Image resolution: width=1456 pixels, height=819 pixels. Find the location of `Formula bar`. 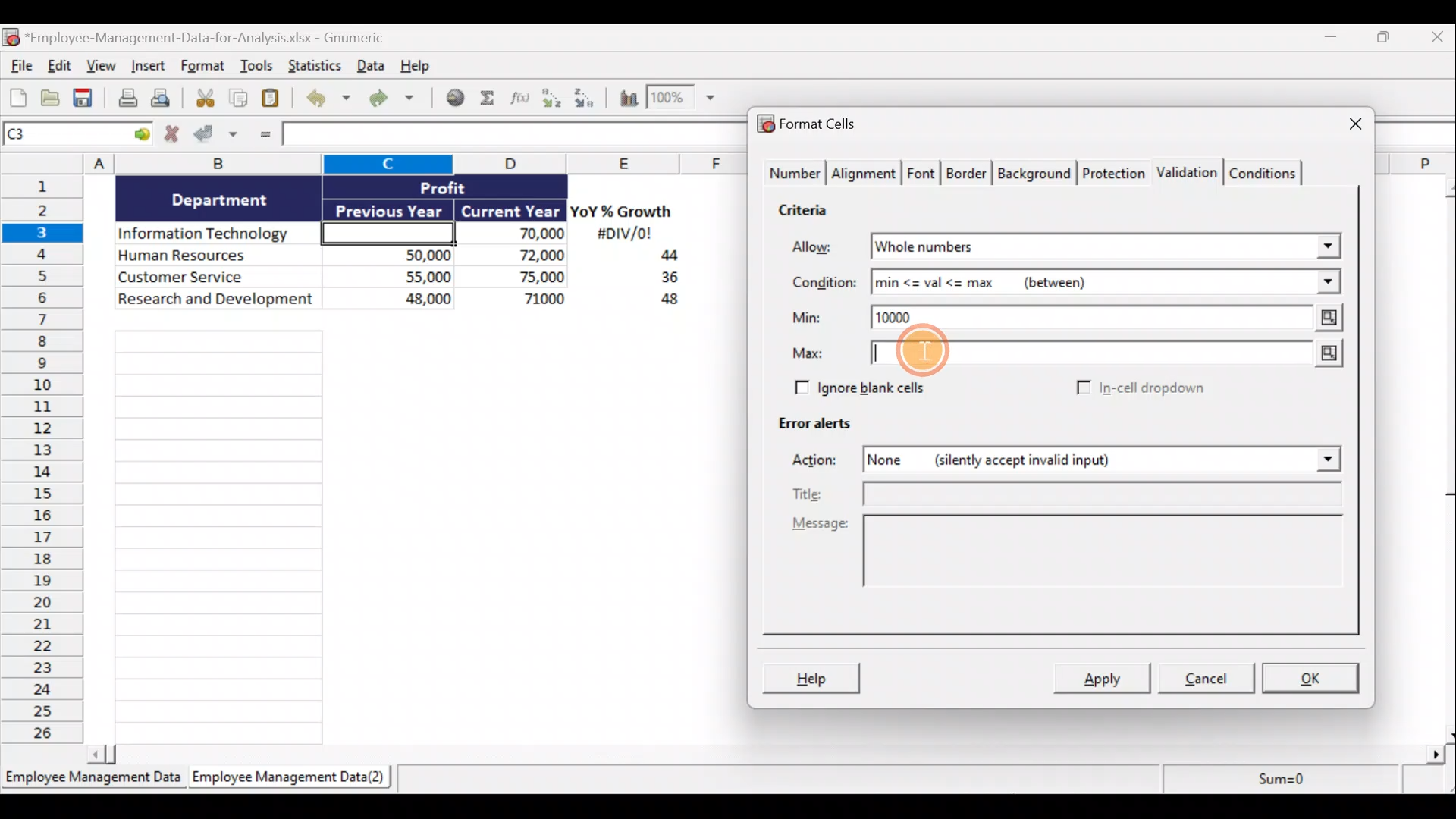

Formula bar is located at coordinates (510, 136).